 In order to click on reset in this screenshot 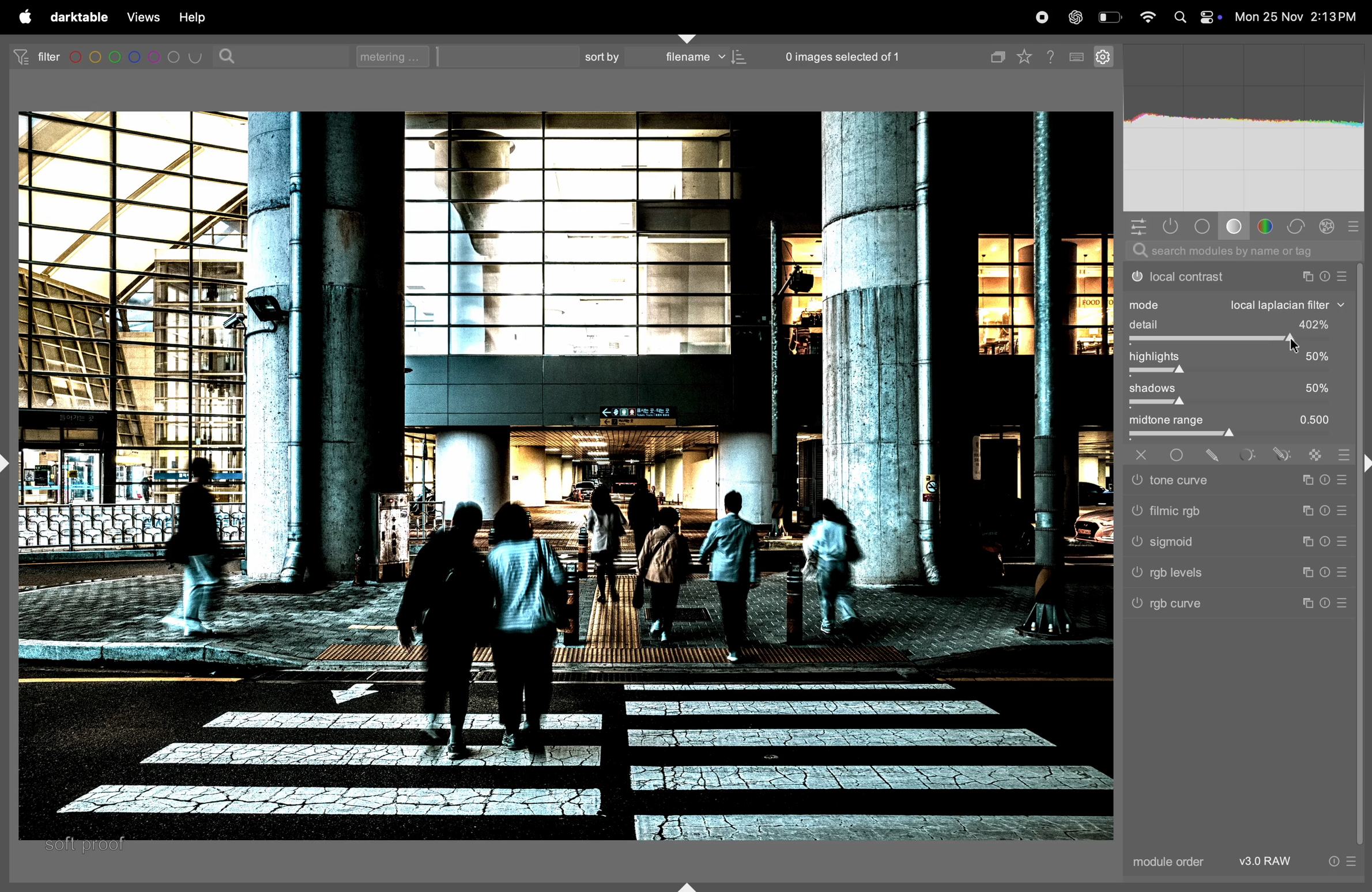, I will do `click(1333, 860)`.